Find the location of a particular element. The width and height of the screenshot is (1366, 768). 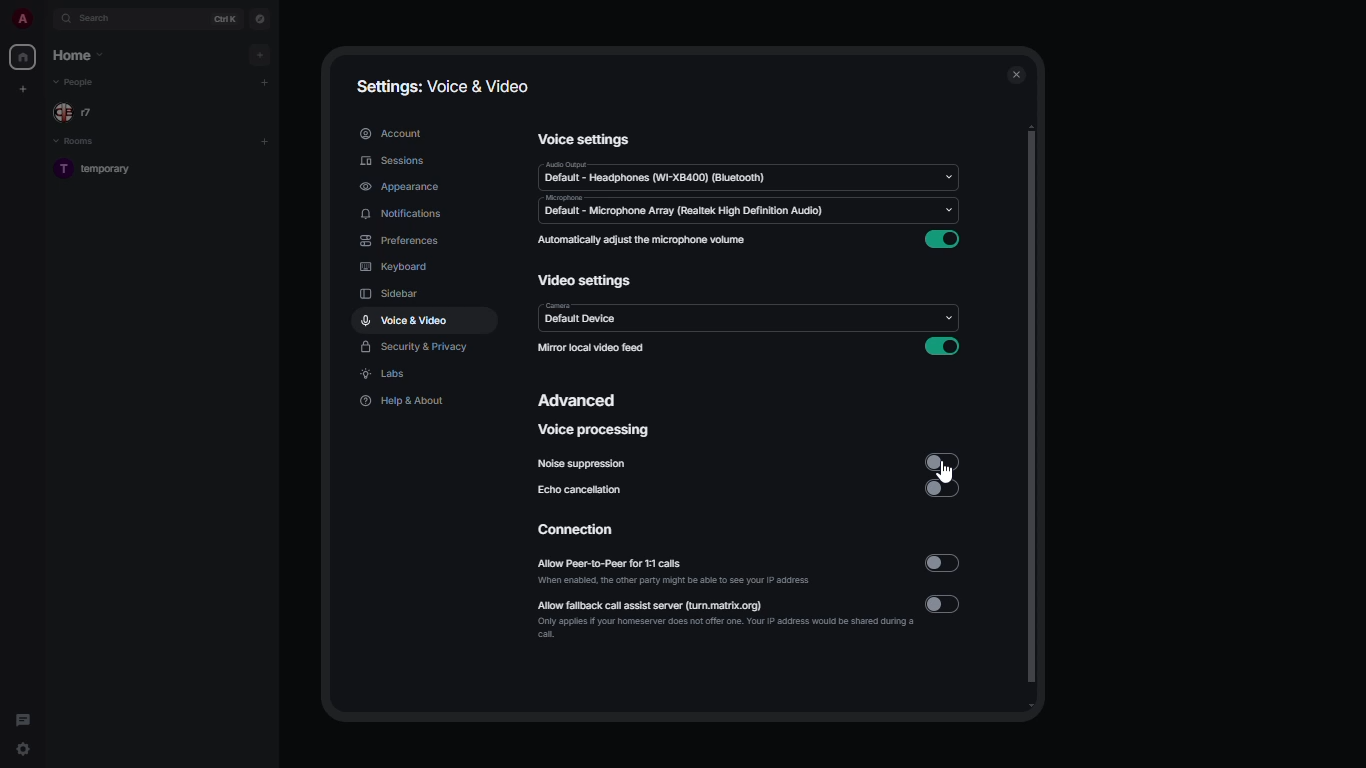

voice & video is located at coordinates (408, 321).